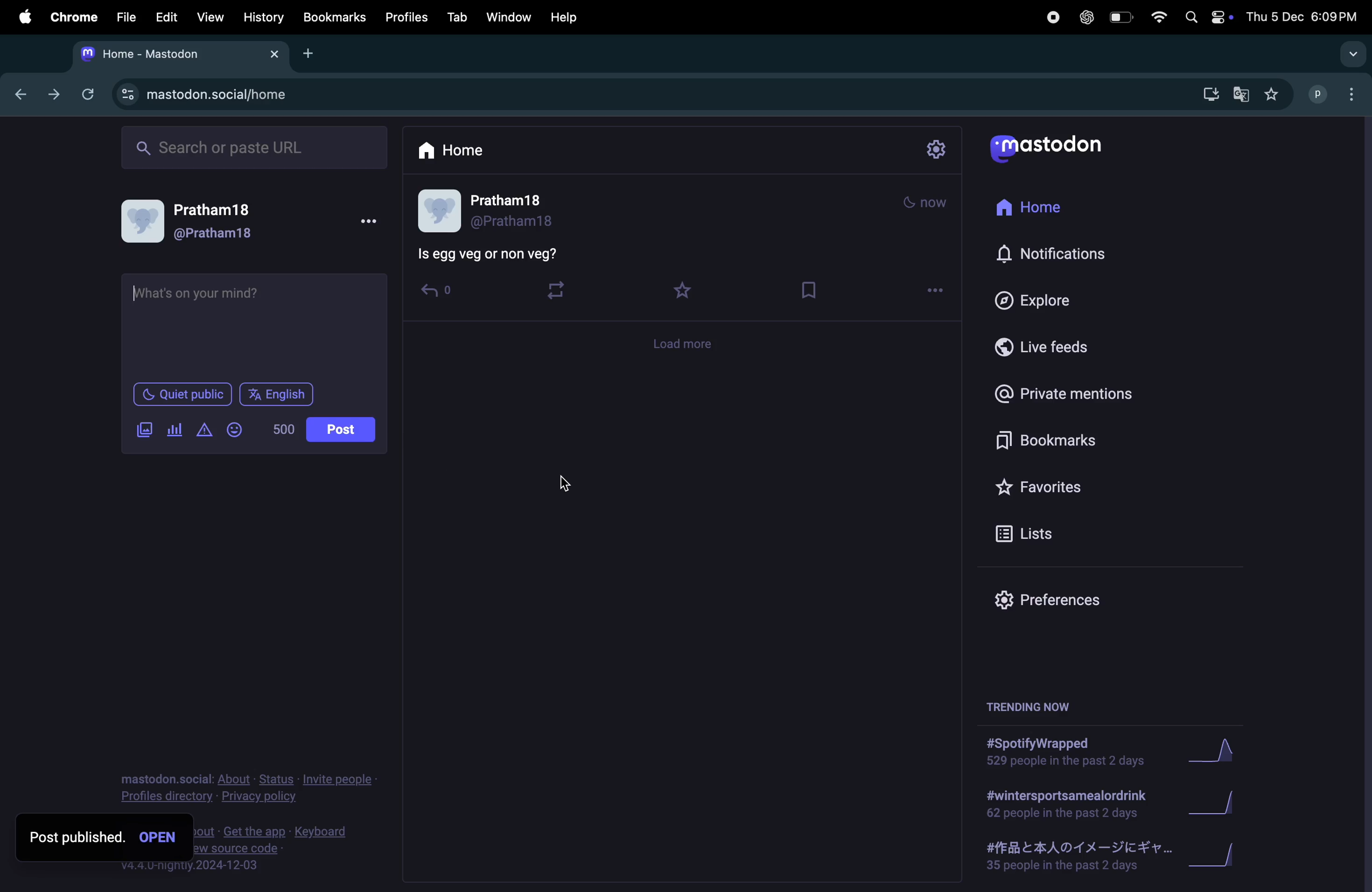 The height and width of the screenshot is (892, 1372). What do you see at coordinates (509, 17) in the screenshot?
I see `window` at bounding box center [509, 17].